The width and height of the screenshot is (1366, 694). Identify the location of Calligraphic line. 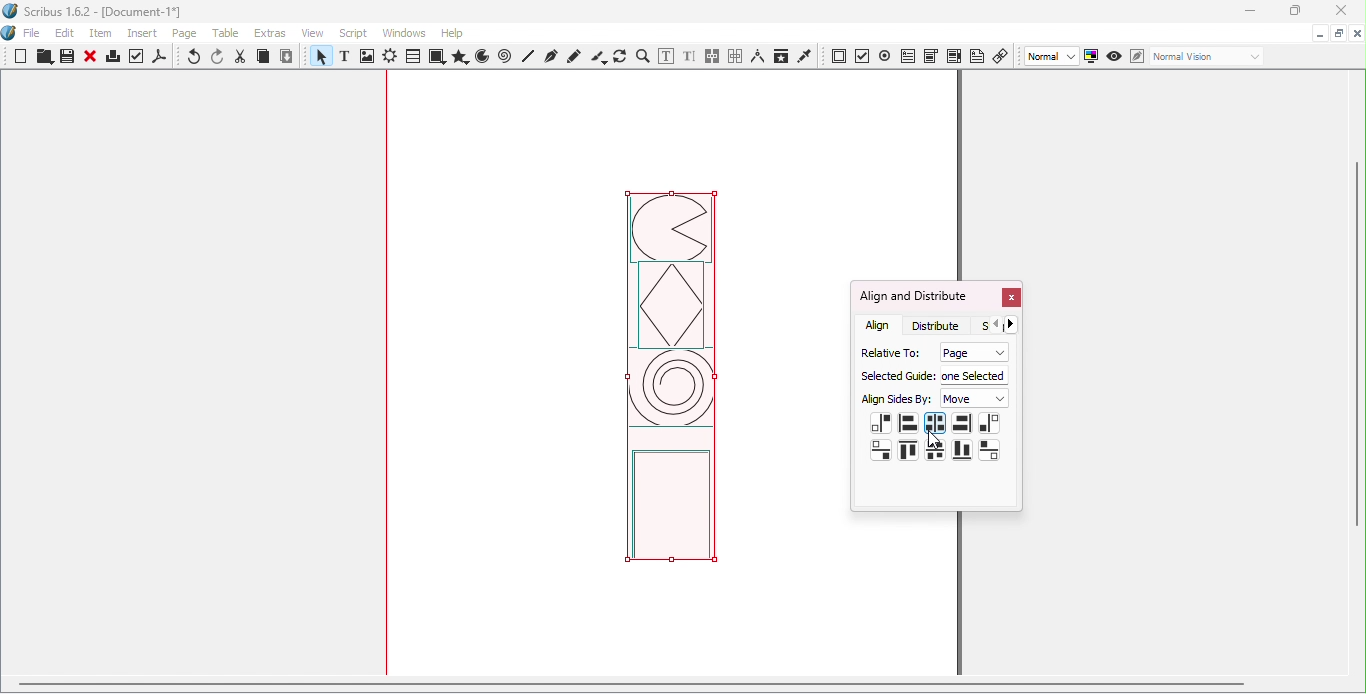
(598, 57).